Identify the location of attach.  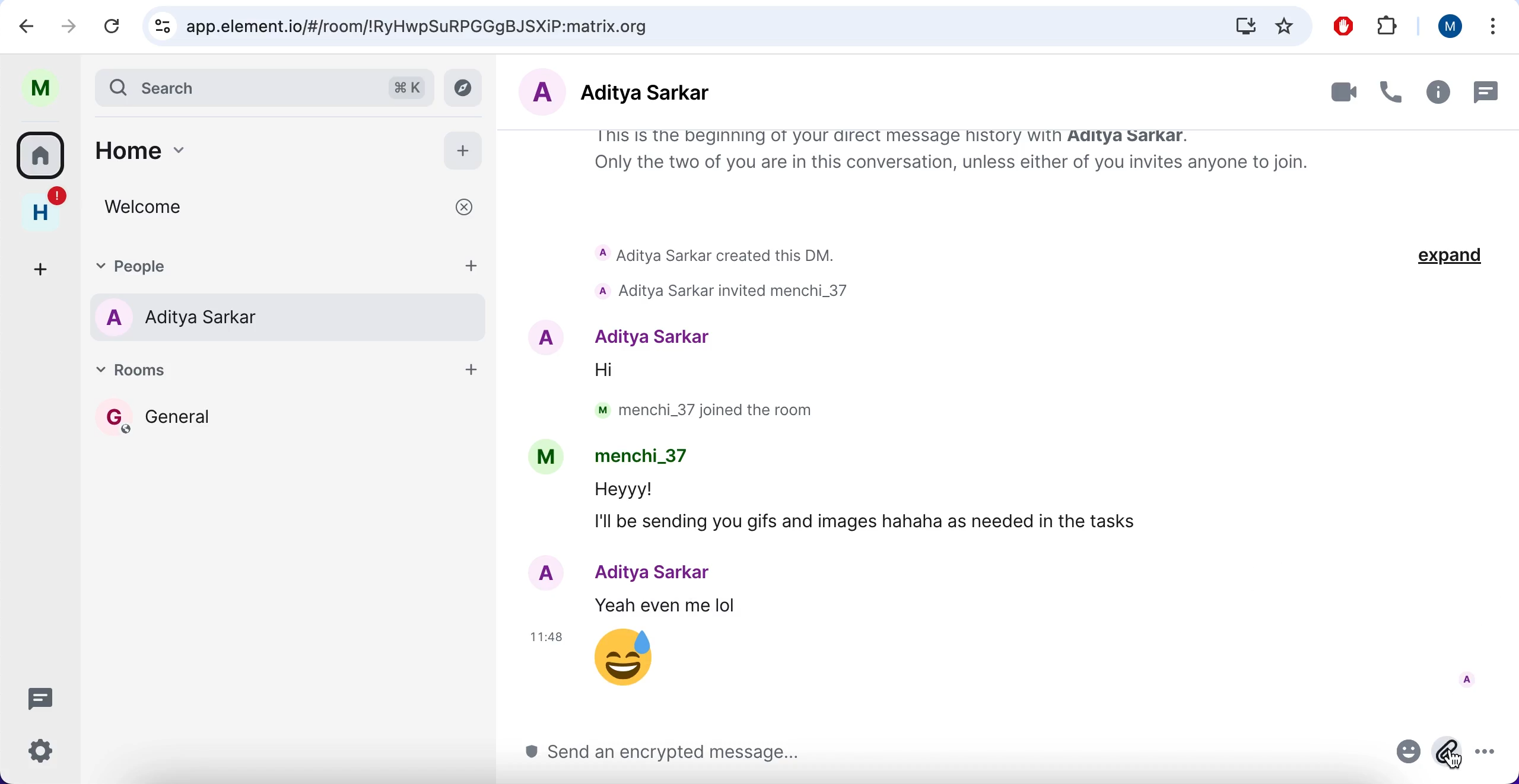
(1447, 754).